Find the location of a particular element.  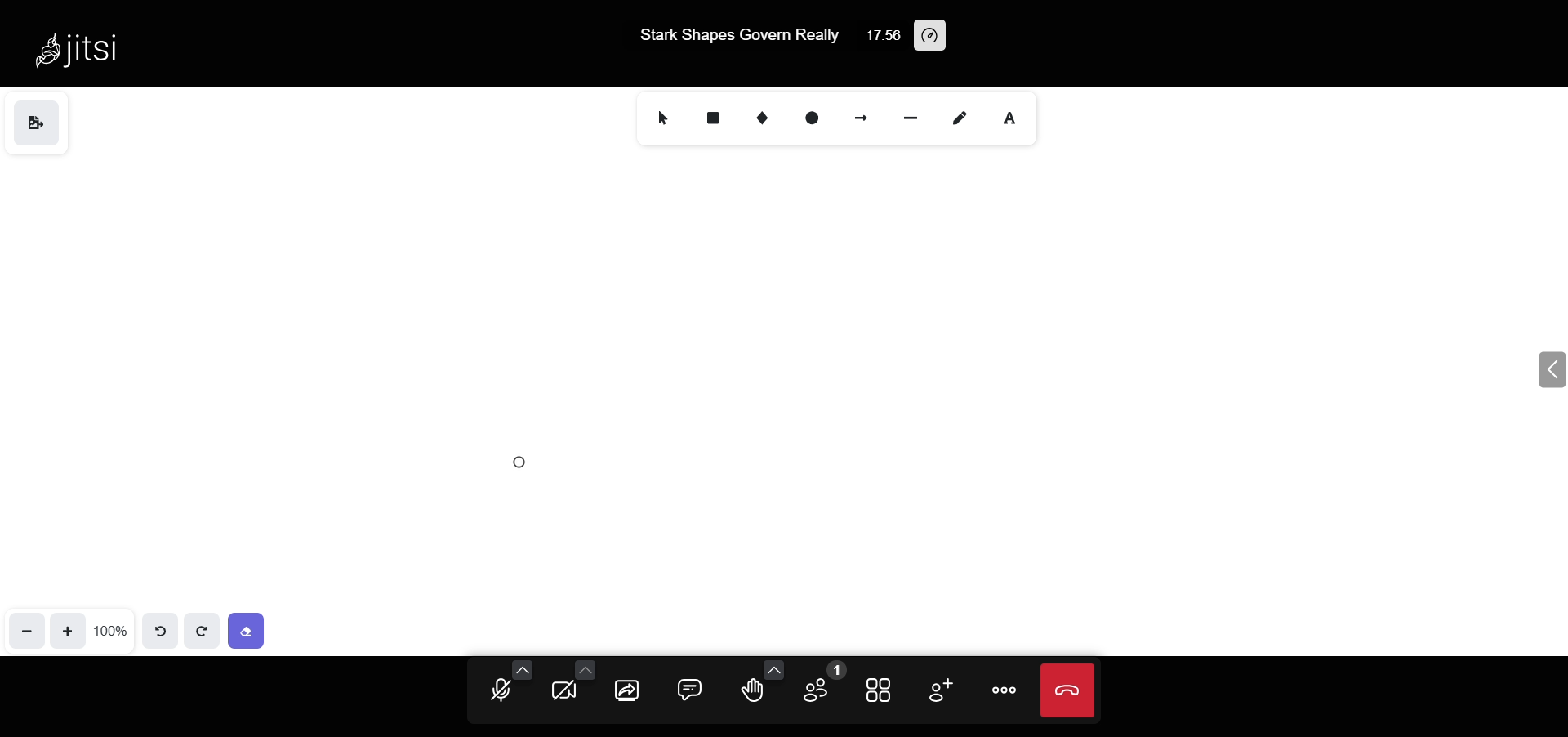

redo is located at coordinates (200, 630).